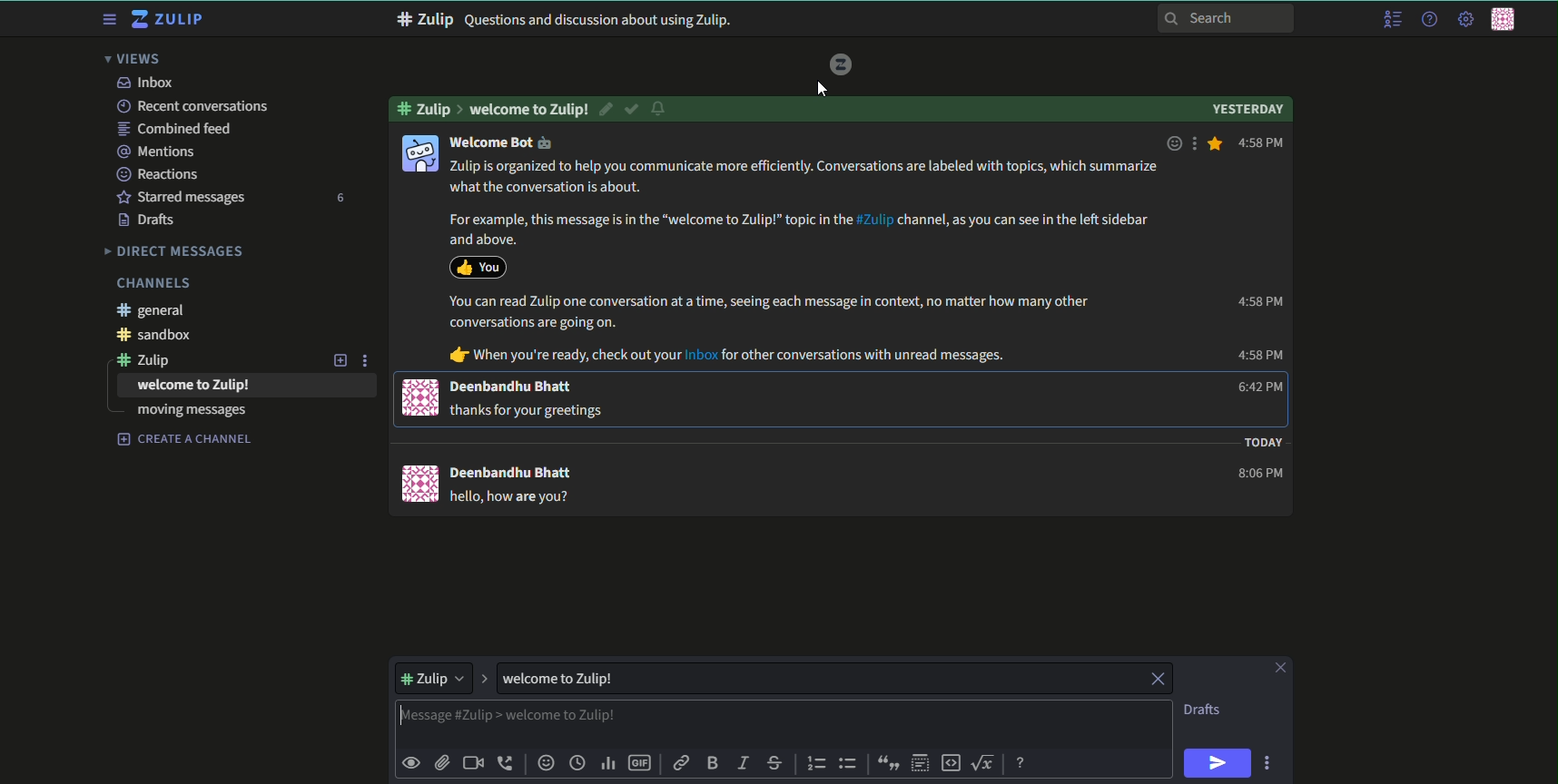 The image size is (1558, 784). I want to click on 14 Zulip is organized to help you communicate more efficiently. Conversations are labeled with topics, which summarize
what the conversation is about.
For example, this message is in the “welcome to Zulip!” topic in the #74» channel, as you can see in the left sidebar
and above., so click(804, 203).